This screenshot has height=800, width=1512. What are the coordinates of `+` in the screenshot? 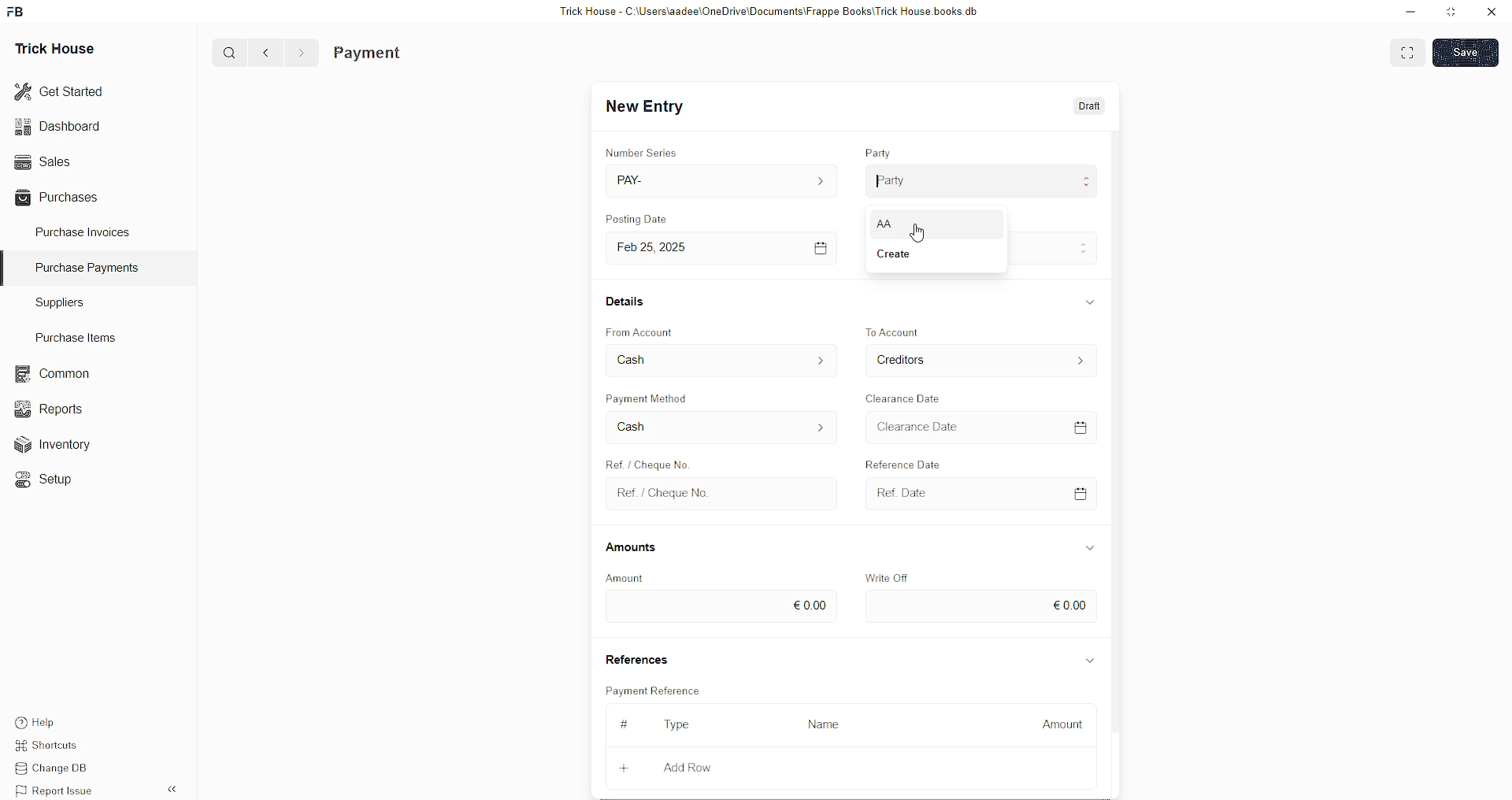 It's located at (626, 765).